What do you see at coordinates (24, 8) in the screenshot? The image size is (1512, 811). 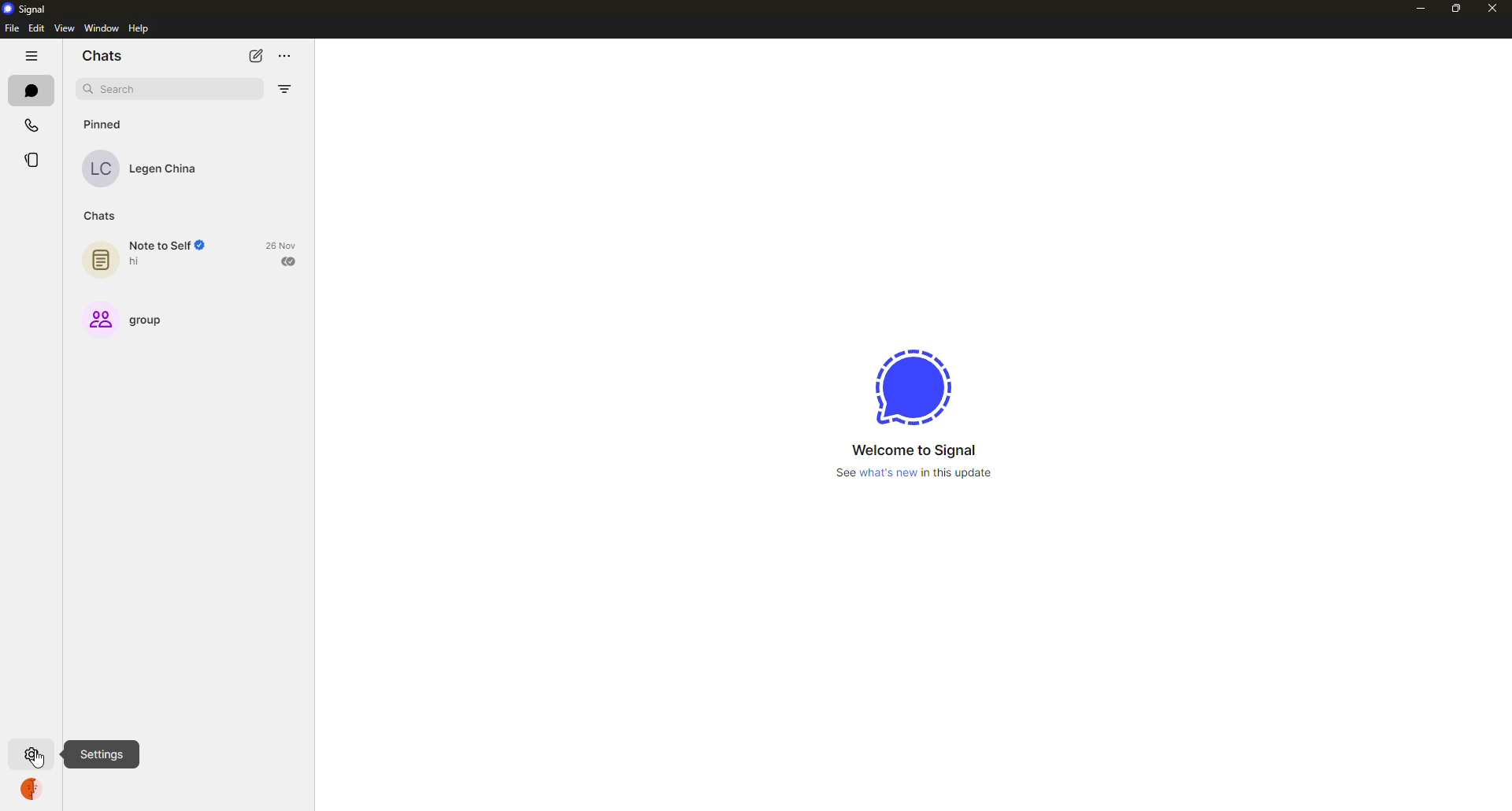 I see `signal` at bounding box center [24, 8].